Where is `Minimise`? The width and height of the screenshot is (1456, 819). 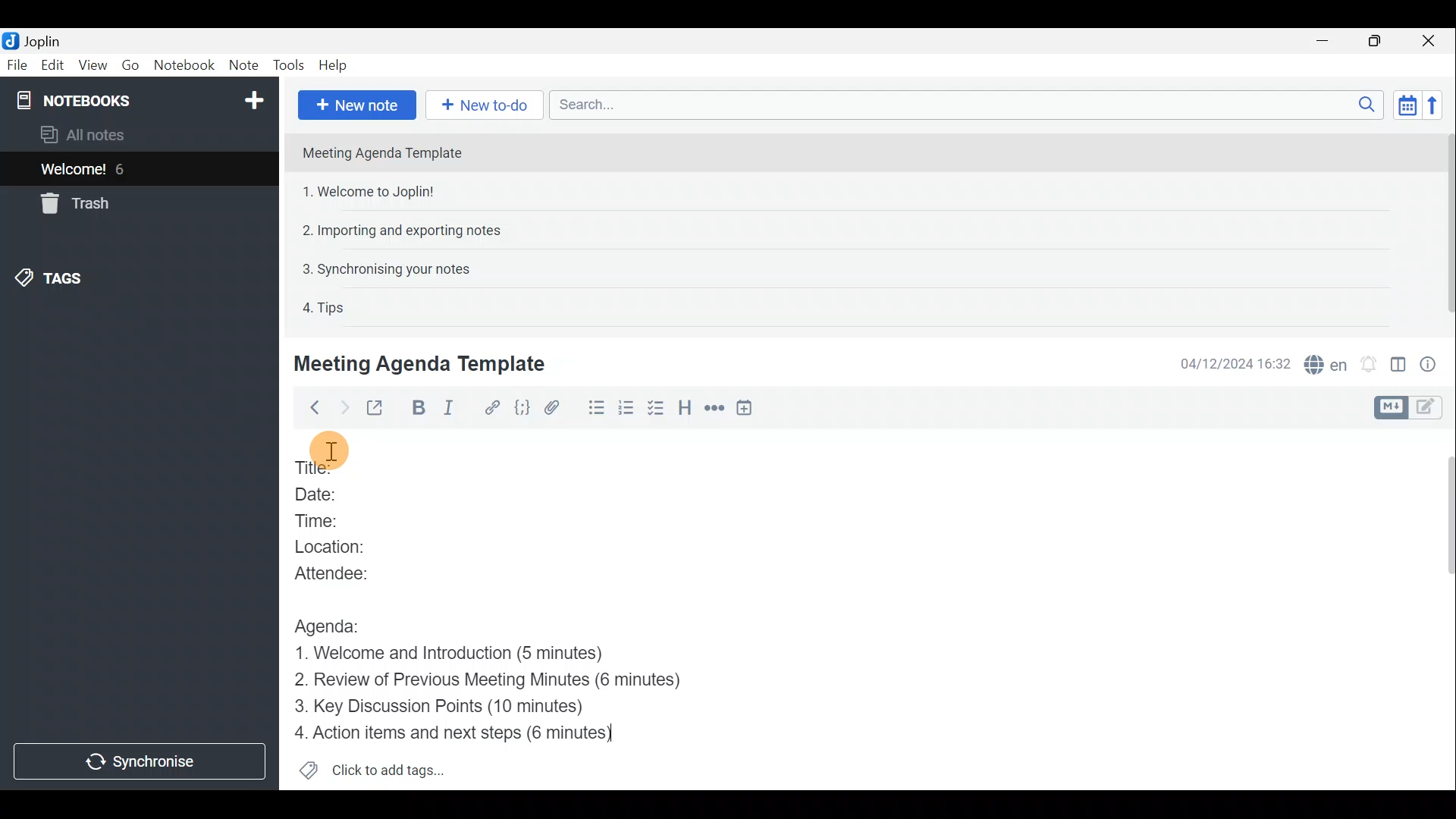 Minimise is located at coordinates (1325, 40).